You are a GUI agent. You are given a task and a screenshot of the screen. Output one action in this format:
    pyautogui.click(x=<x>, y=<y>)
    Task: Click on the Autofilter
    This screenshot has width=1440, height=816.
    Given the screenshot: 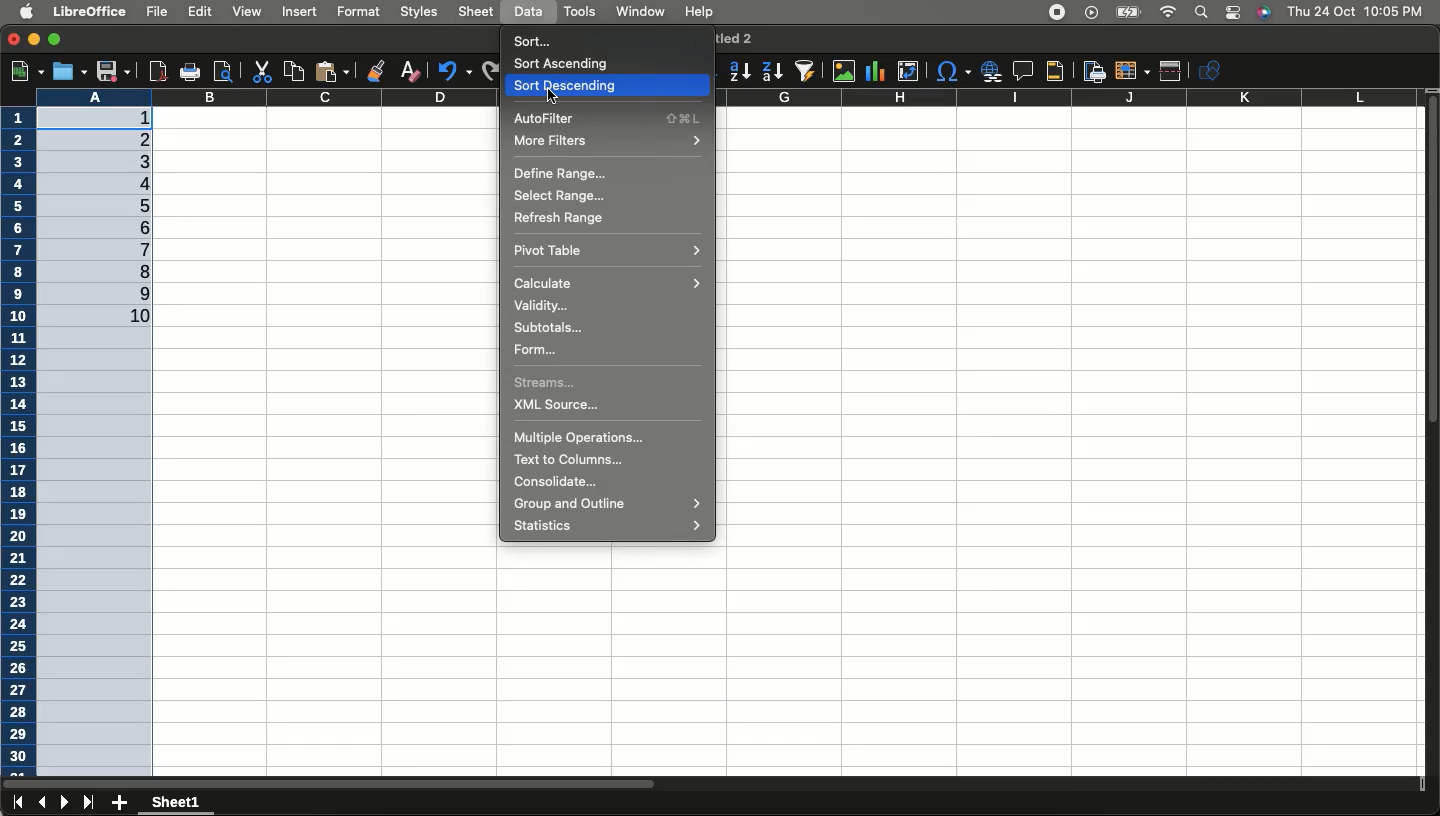 What is the action you would take?
    pyautogui.click(x=804, y=71)
    